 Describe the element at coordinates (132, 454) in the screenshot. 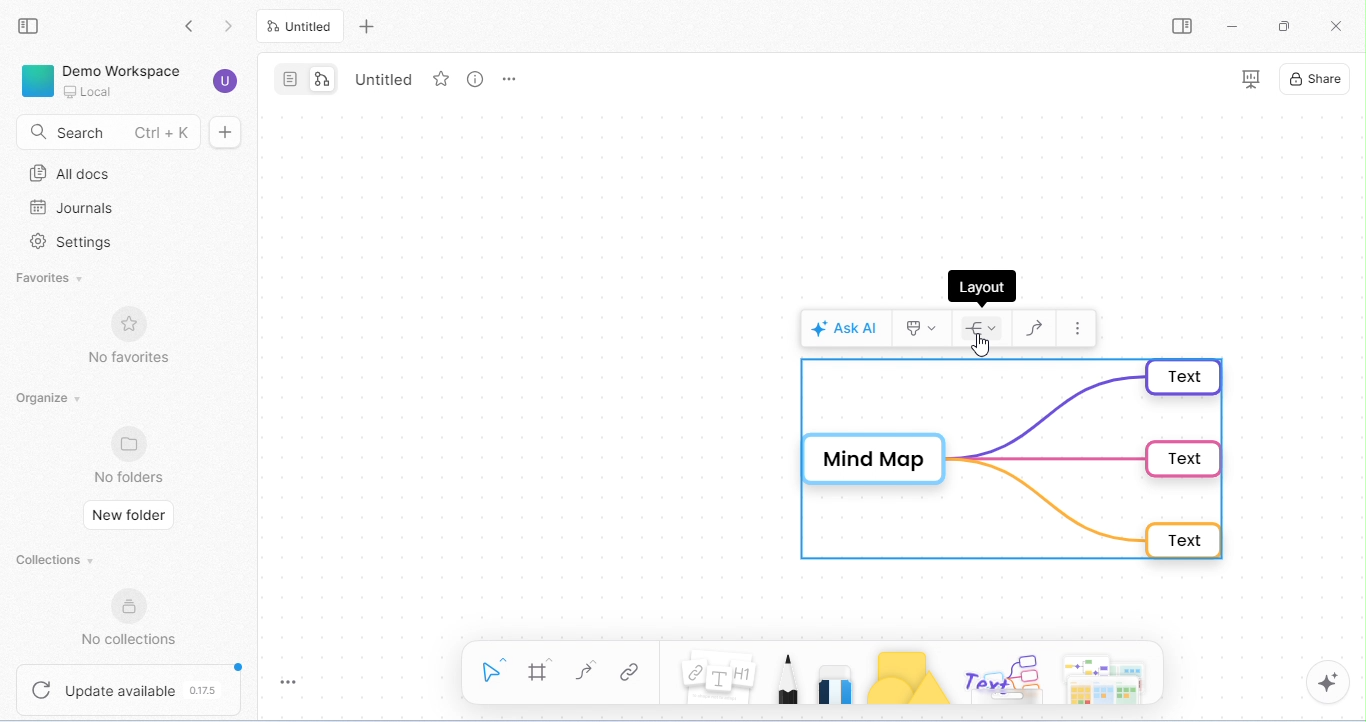

I see `no folders` at that location.